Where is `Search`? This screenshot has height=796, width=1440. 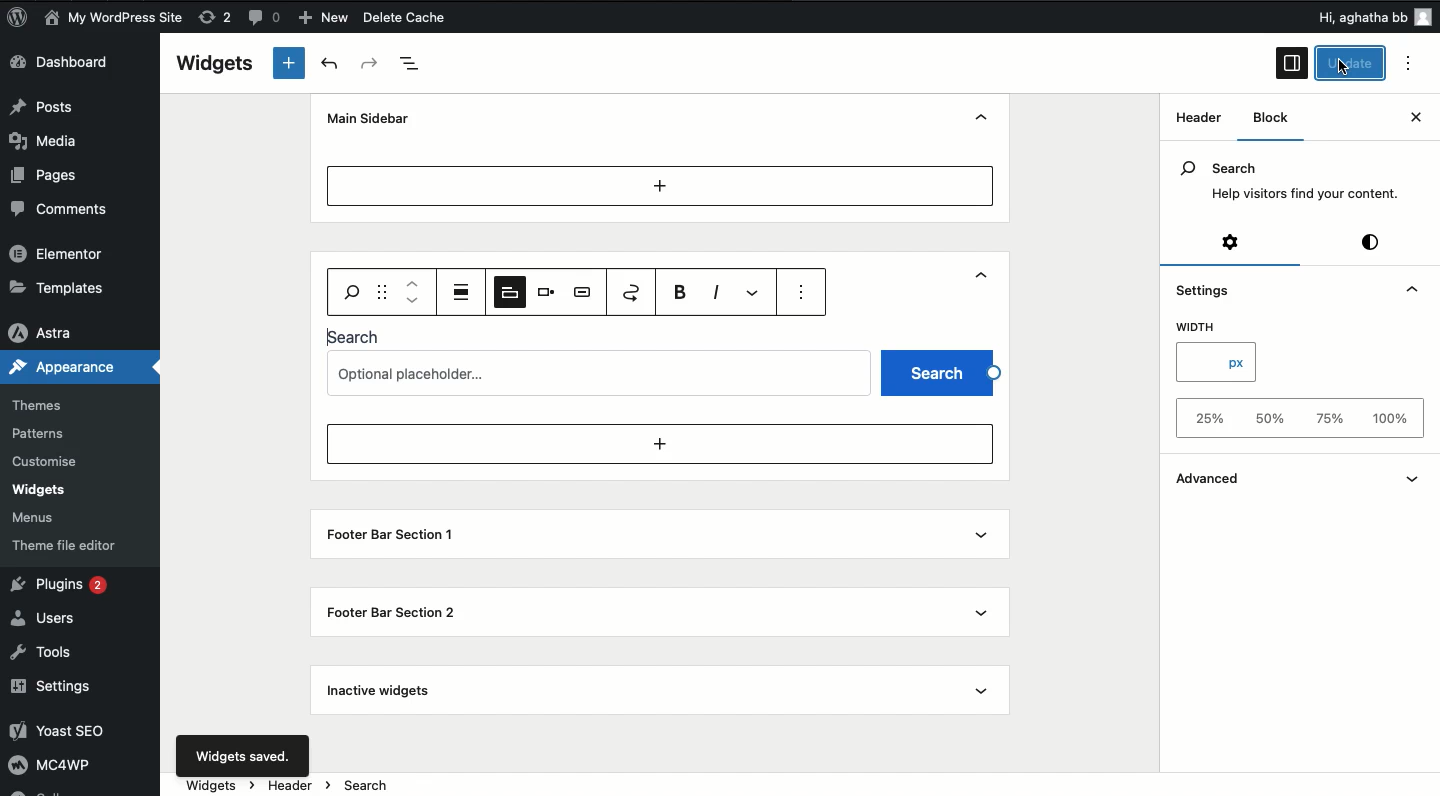
Search is located at coordinates (939, 371).